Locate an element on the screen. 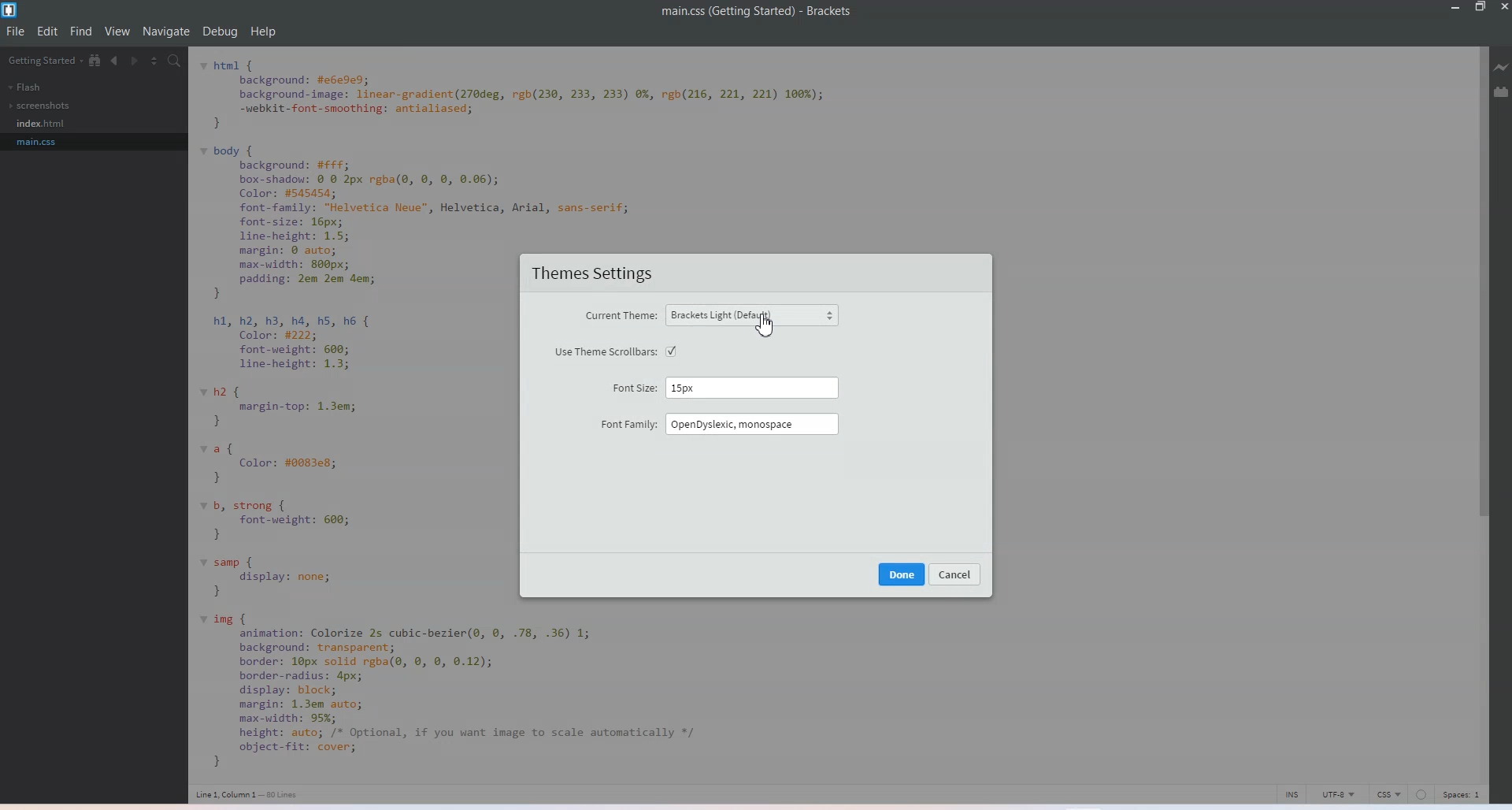  cancel is located at coordinates (955, 573).